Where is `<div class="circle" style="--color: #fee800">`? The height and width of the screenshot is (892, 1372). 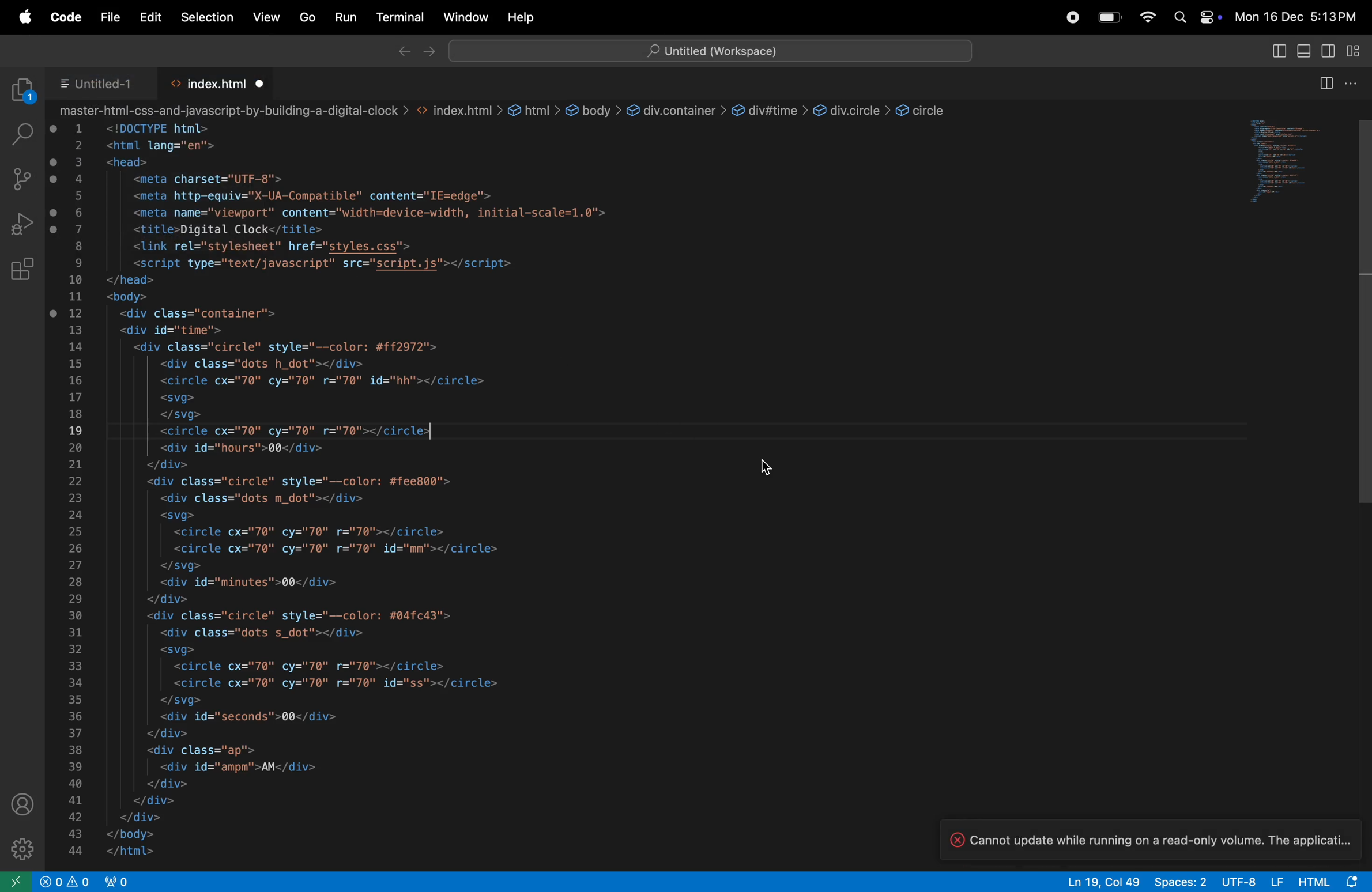 <div class="circle" style="--color: #fee800"> is located at coordinates (299, 481).